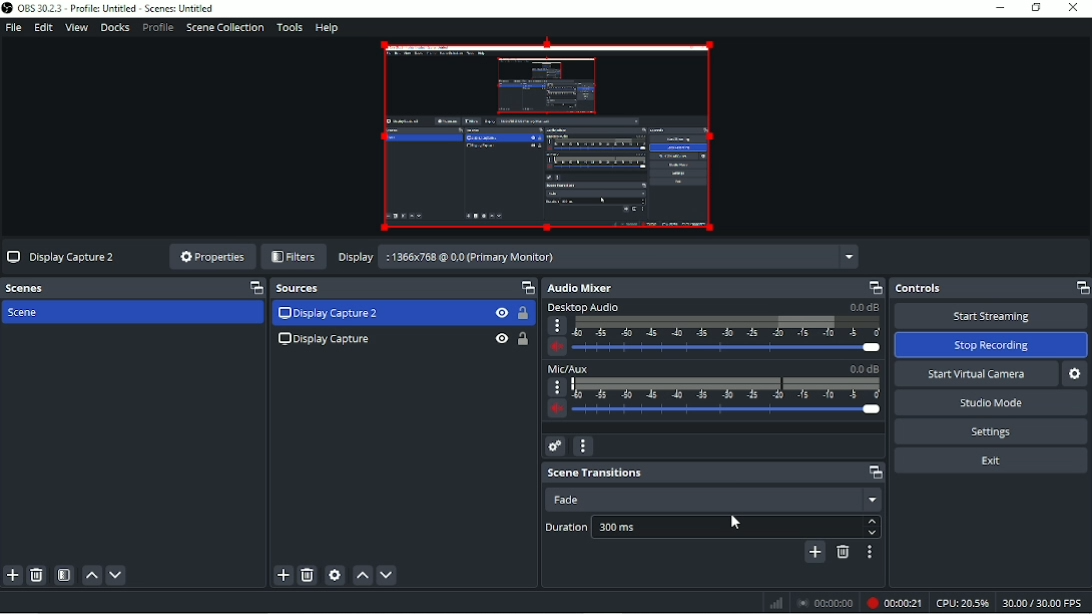 This screenshot has width=1092, height=614. I want to click on lock, so click(524, 339).